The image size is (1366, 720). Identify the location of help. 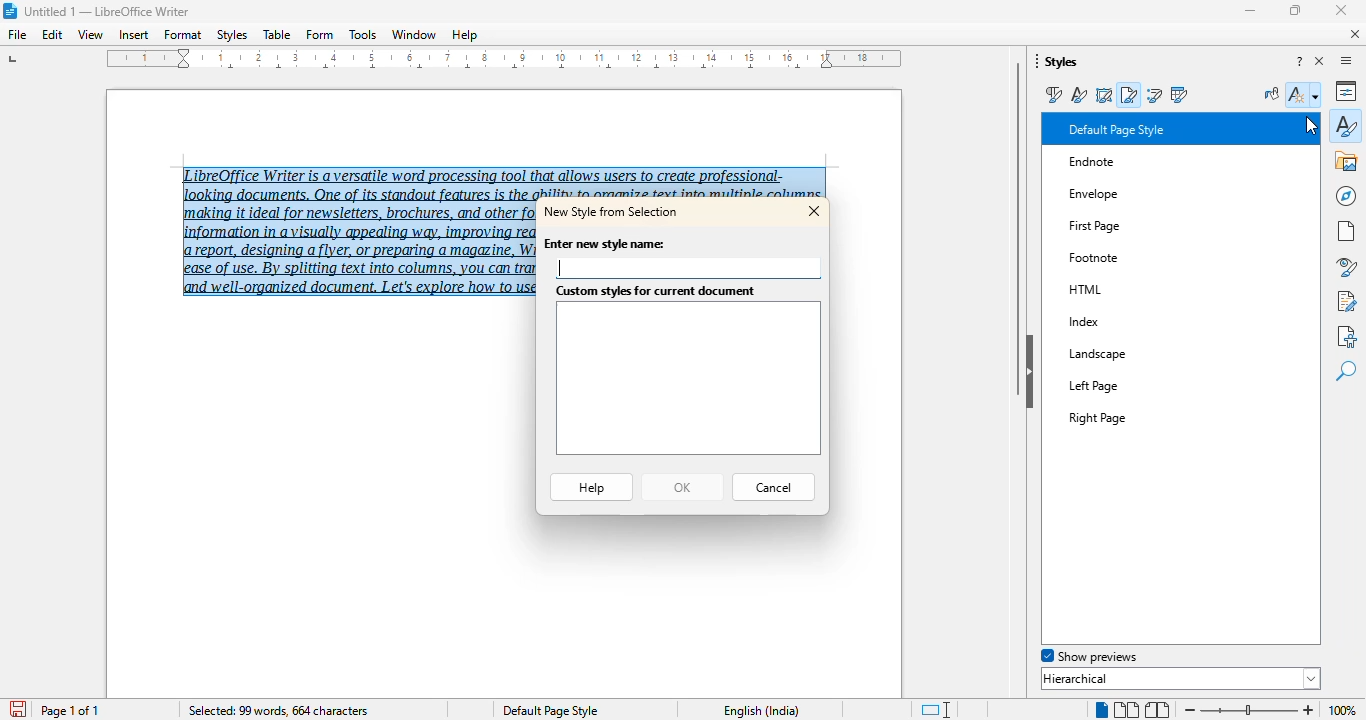
(465, 35).